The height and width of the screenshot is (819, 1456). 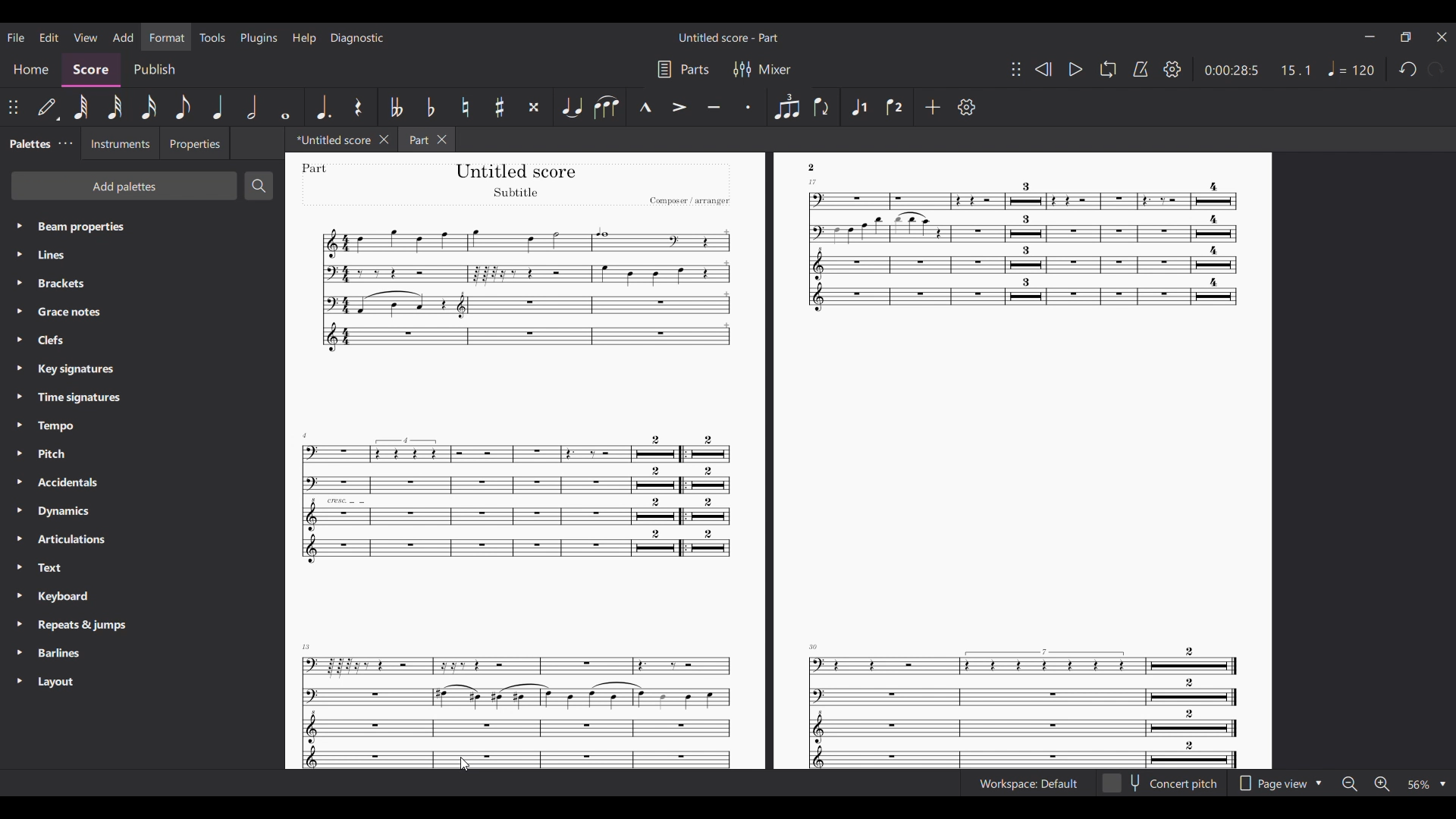 What do you see at coordinates (78, 226) in the screenshot?
I see `Beam propertiex` at bounding box center [78, 226].